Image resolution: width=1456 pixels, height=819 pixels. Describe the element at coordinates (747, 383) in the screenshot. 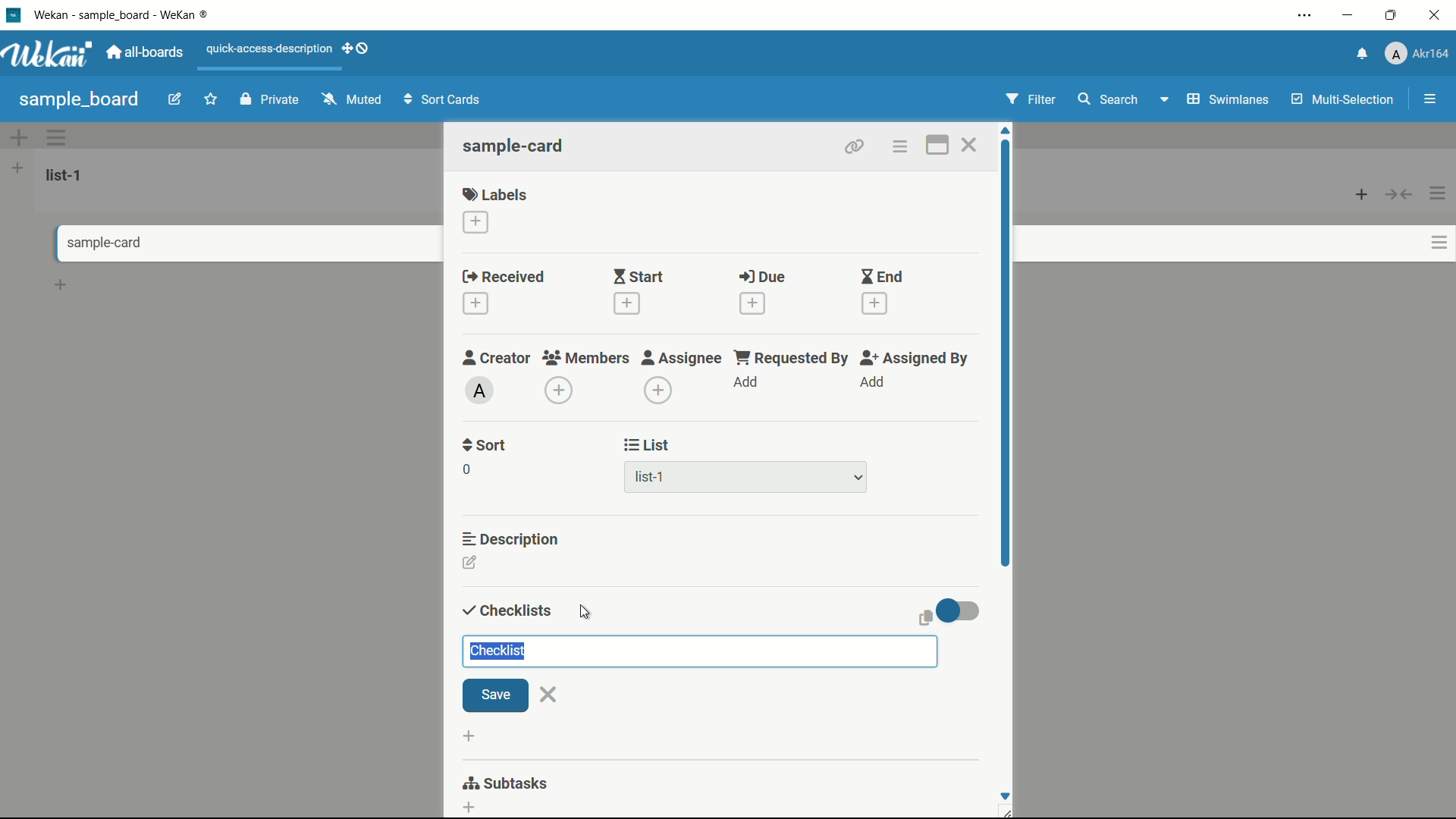

I see `add` at that location.